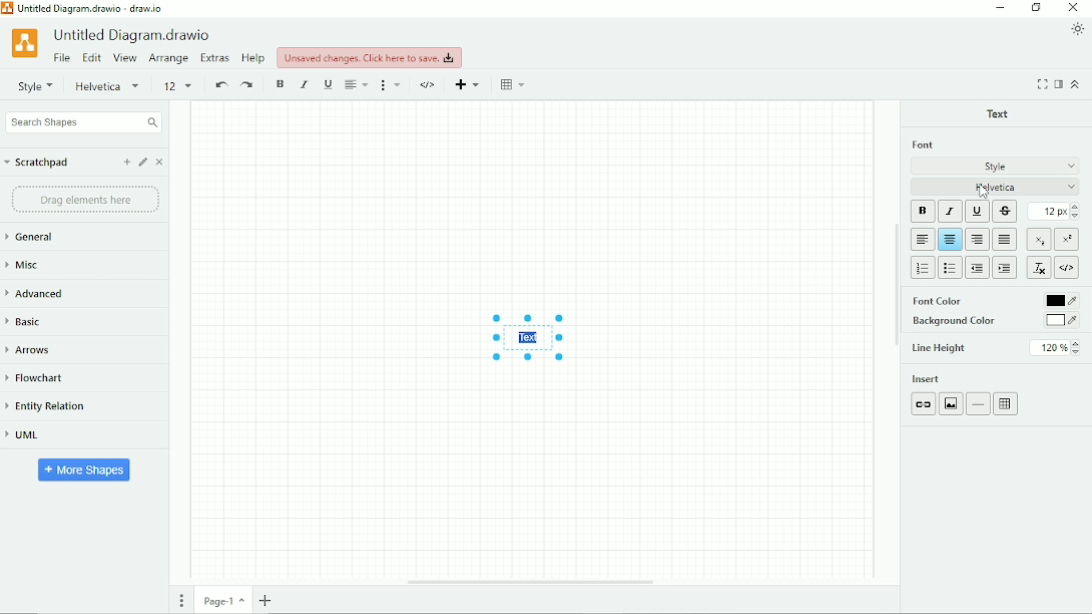  What do you see at coordinates (428, 85) in the screenshot?
I see `HTML` at bounding box center [428, 85].